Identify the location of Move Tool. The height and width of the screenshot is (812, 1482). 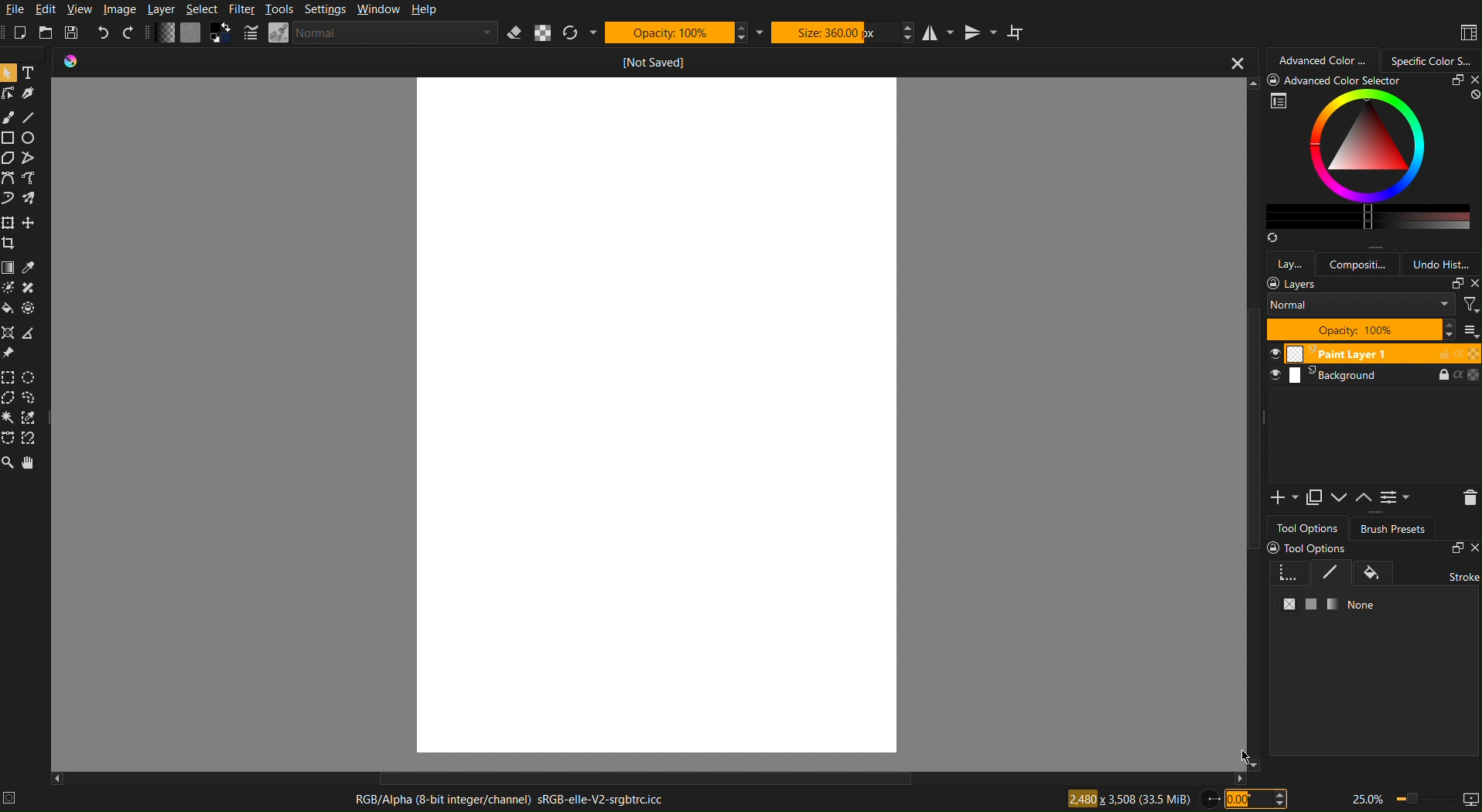
(28, 223).